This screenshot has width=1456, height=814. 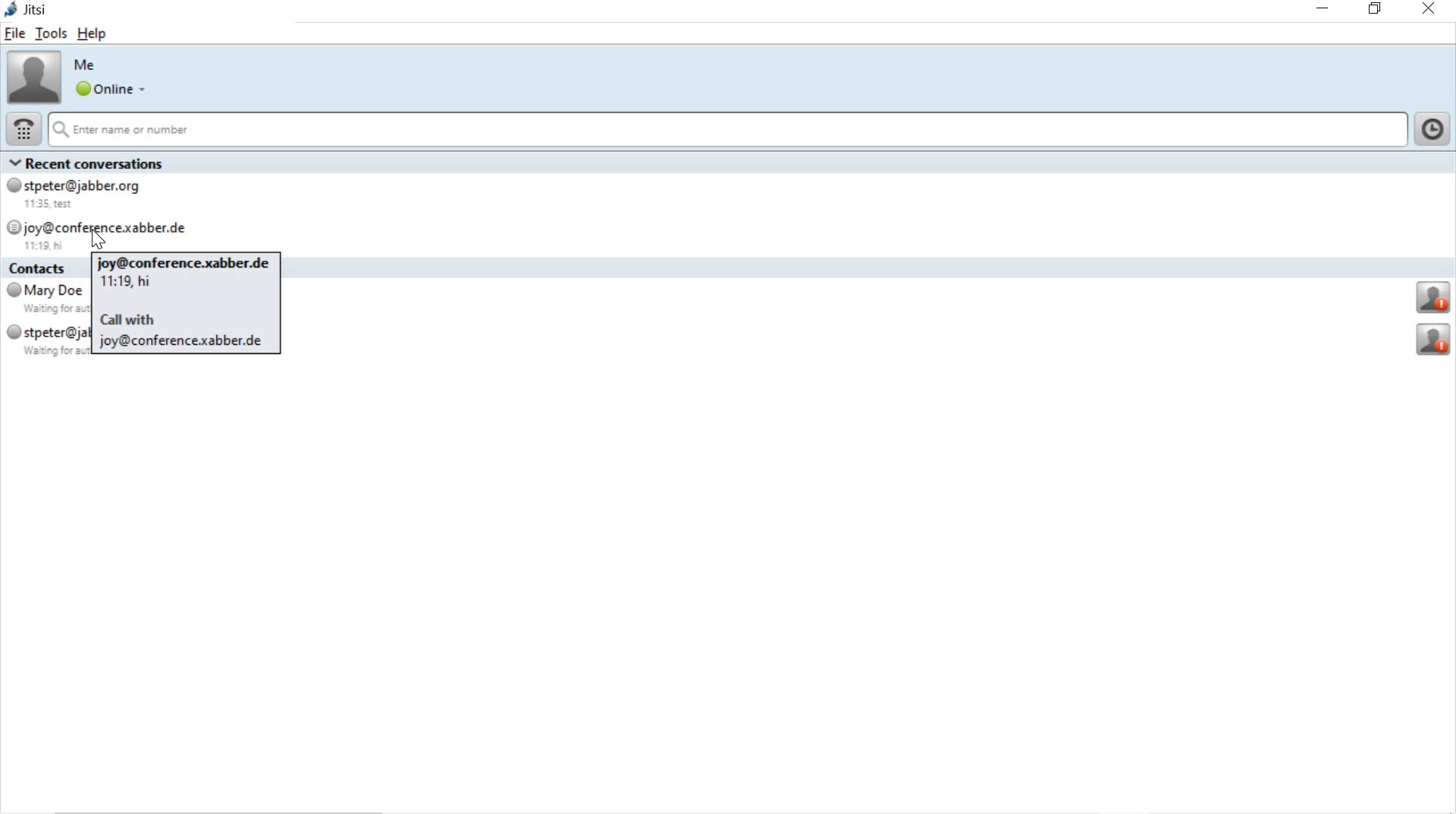 I want to click on cursor, so click(x=98, y=240).